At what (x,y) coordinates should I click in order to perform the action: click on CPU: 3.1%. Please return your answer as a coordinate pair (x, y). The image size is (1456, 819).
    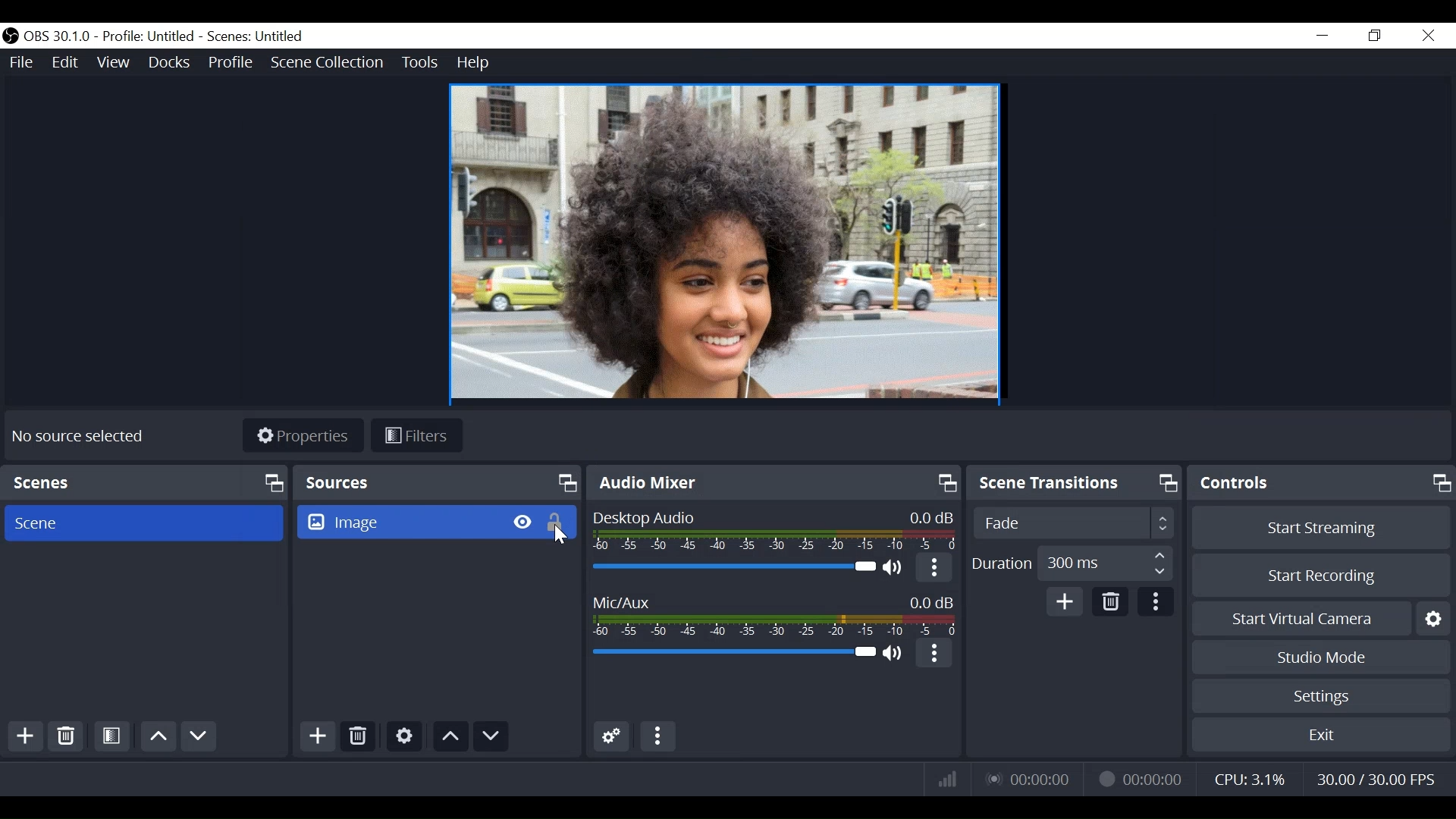
    Looking at the image, I should click on (1252, 777).